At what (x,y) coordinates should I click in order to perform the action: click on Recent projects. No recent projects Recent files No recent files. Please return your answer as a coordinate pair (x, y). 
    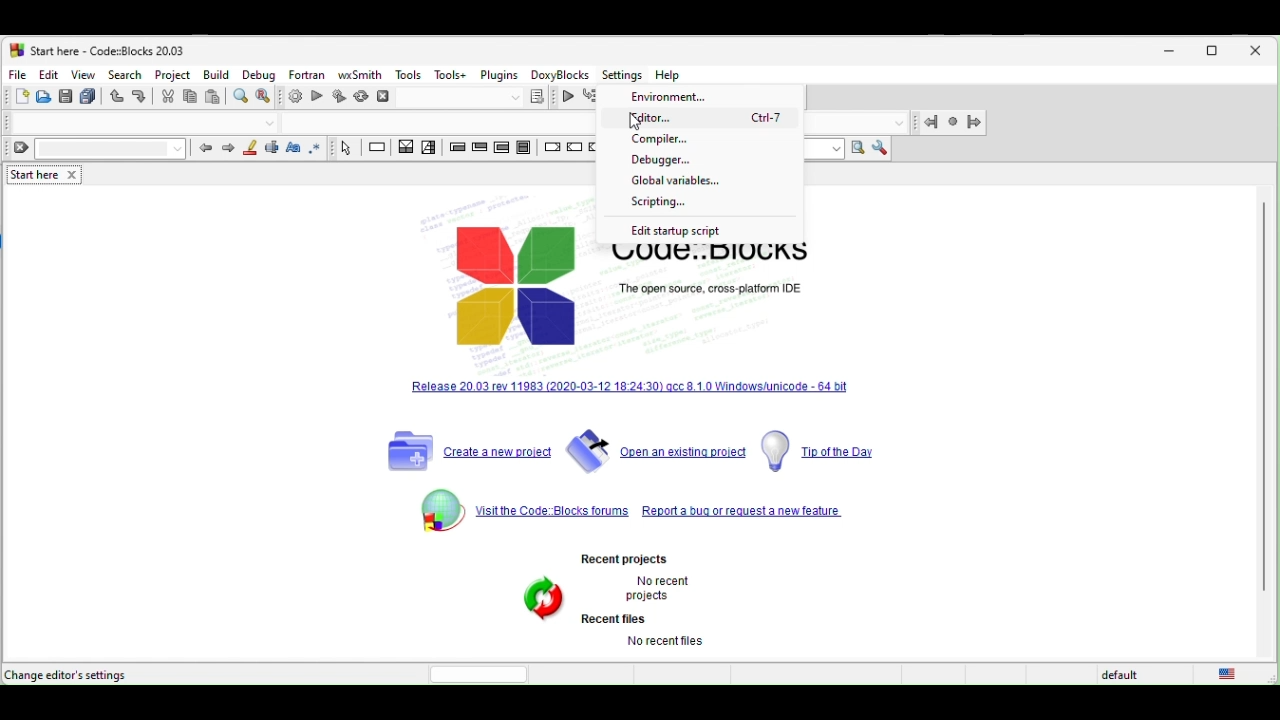
    Looking at the image, I should click on (617, 600).